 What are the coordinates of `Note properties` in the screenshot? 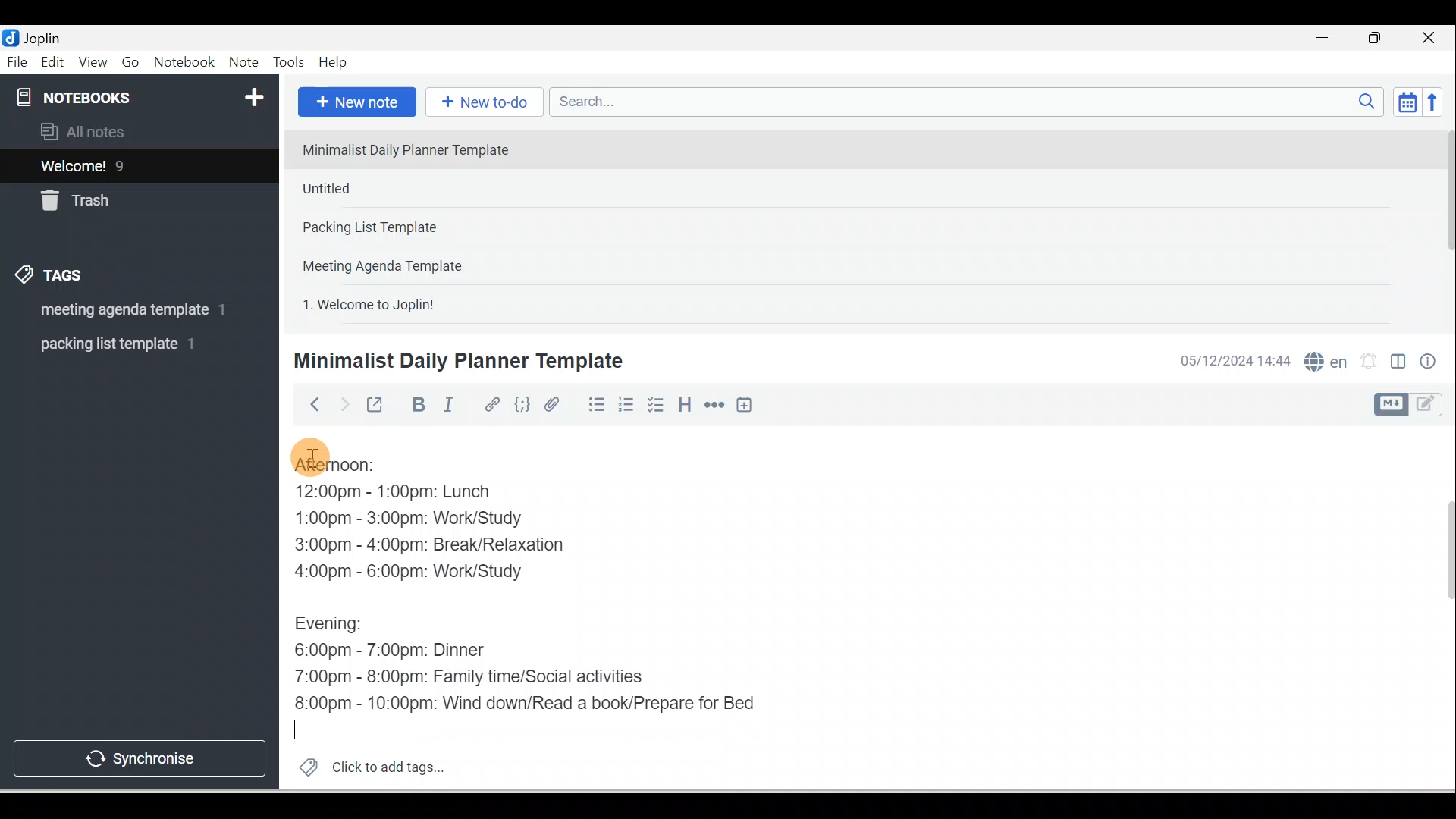 It's located at (1429, 363).